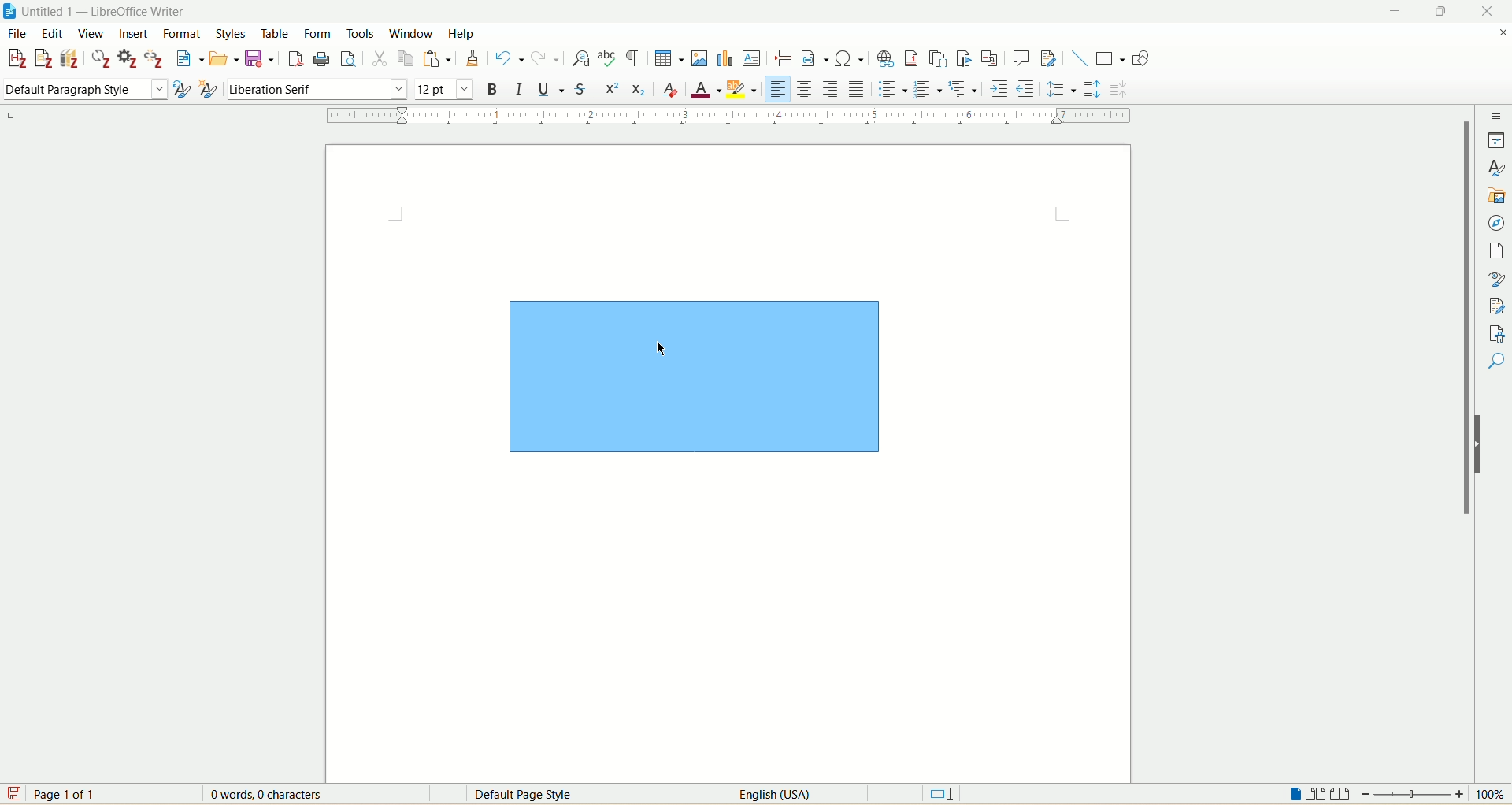  I want to click on underline, so click(552, 89).